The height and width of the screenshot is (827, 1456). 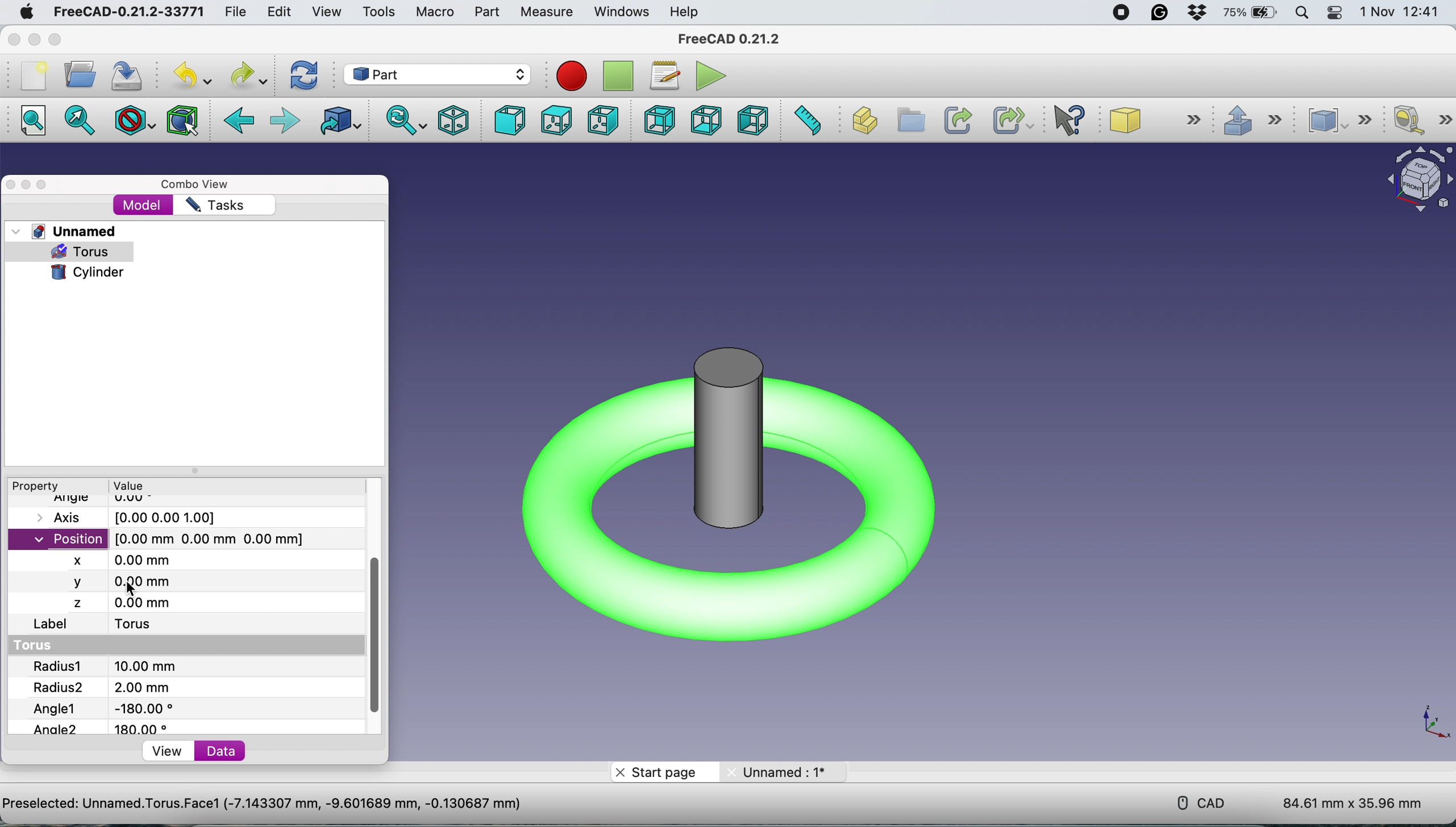 What do you see at coordinates (543, 11) in the screenshot?
I see `measure` at bounding box center [543, 11].